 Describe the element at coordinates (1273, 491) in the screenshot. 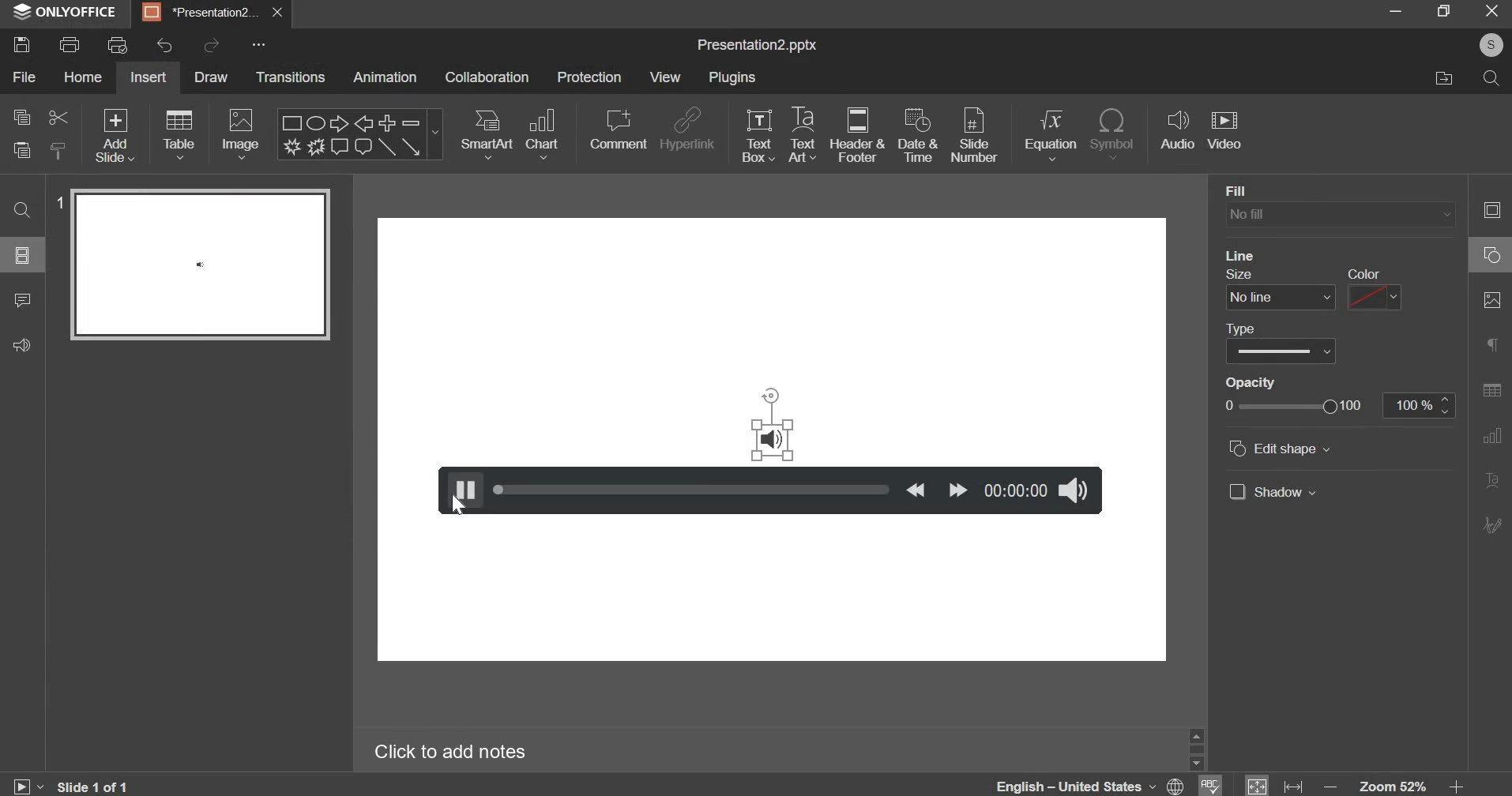

I see `shadow` at that location.